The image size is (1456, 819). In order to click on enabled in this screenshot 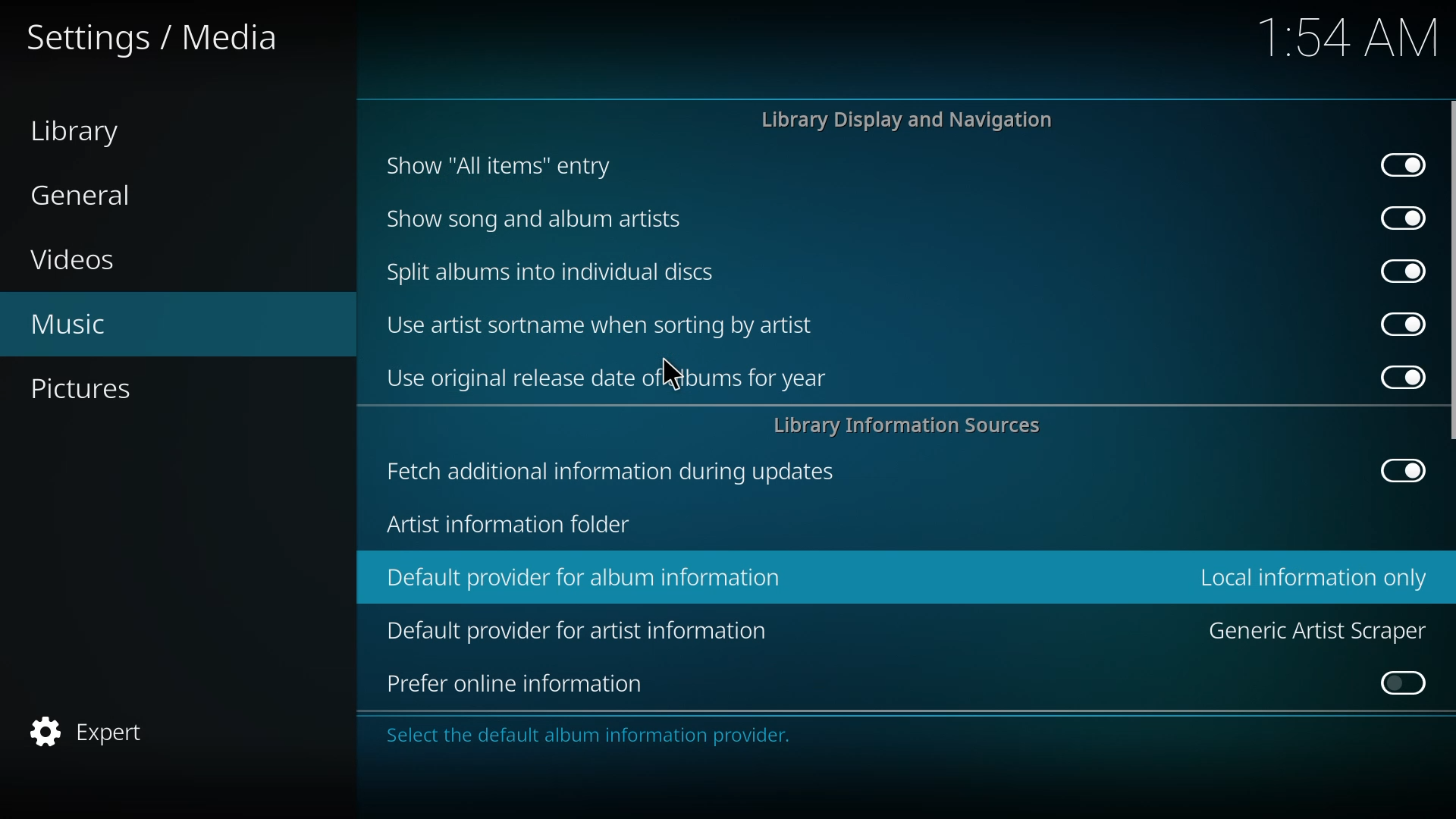, I will do `click(1397, 162)`.